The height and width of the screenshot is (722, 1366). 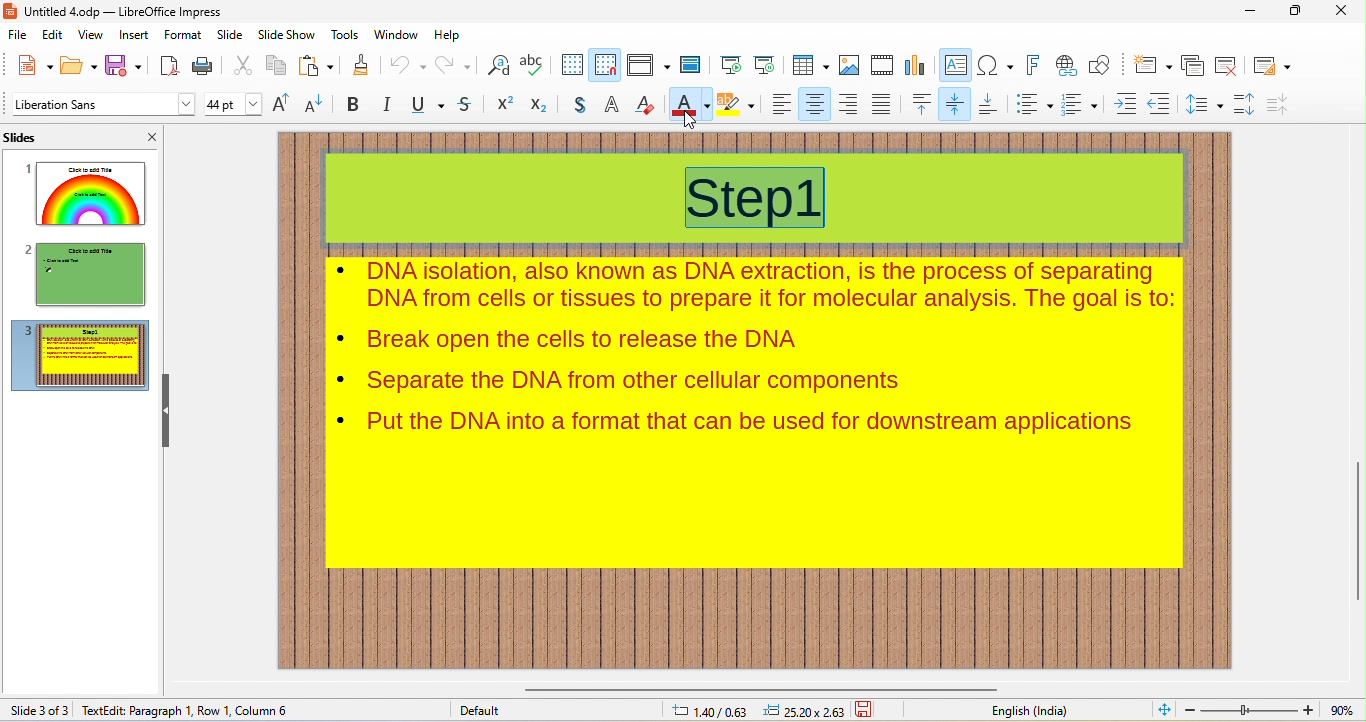 I want to click on display grid, so click(x=570, y=63).